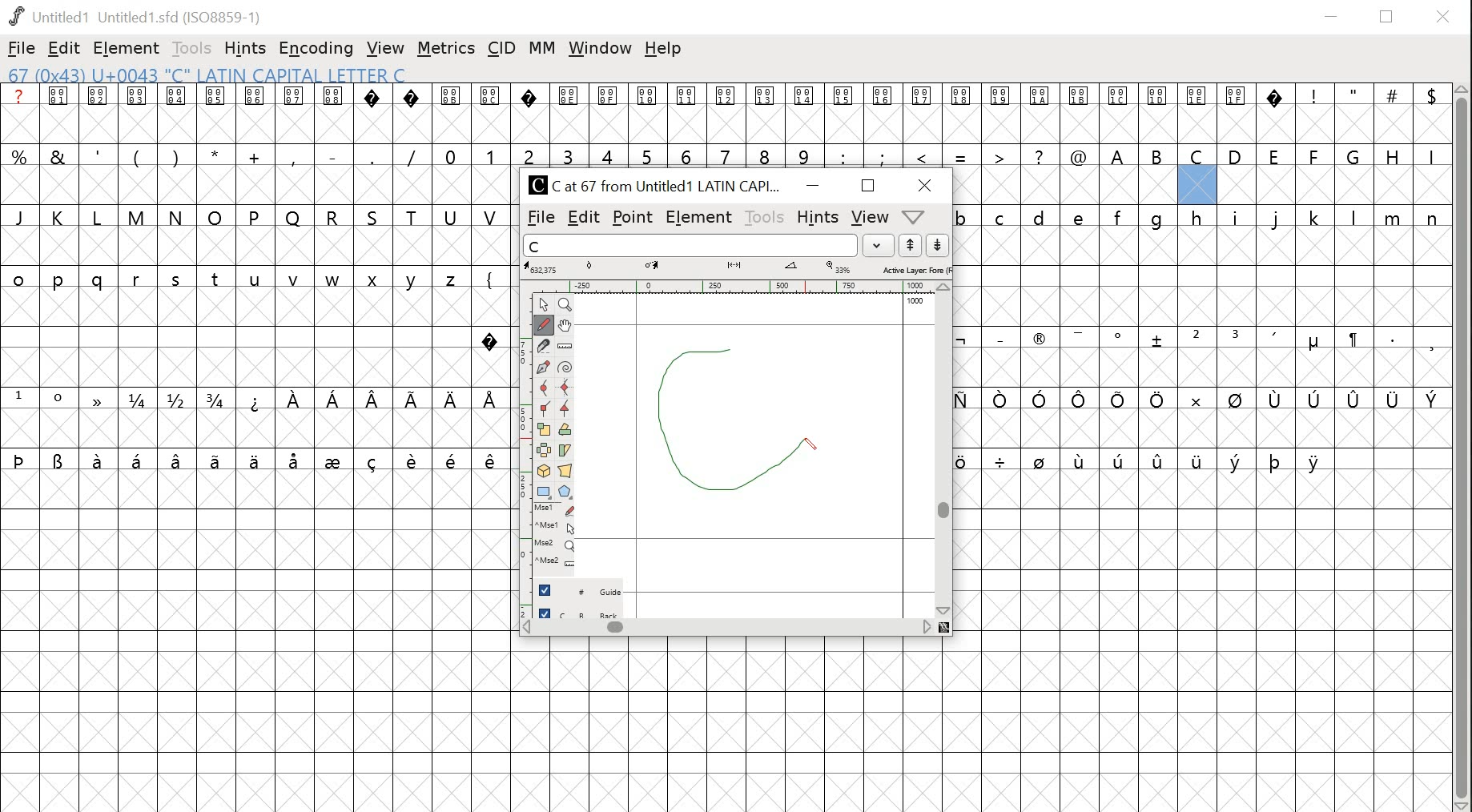 The image size is (1472, 812). Describe the element at coordinates (664, 50) in the screenshot. I see `help` at that location.